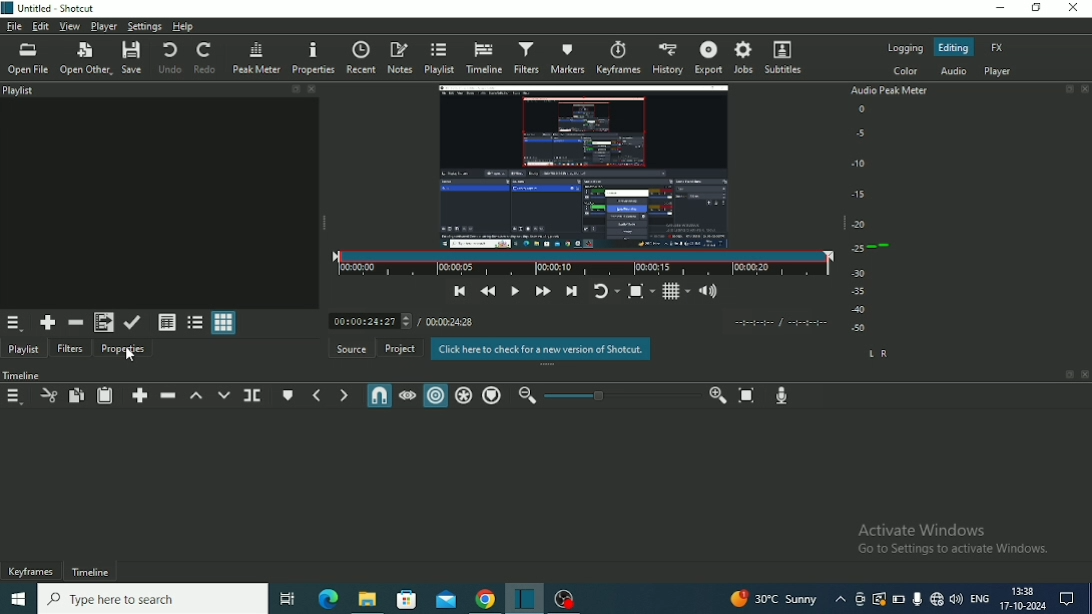 This screenshot has height=614, width=1092. I want to click on Filters, so click(525, 55).